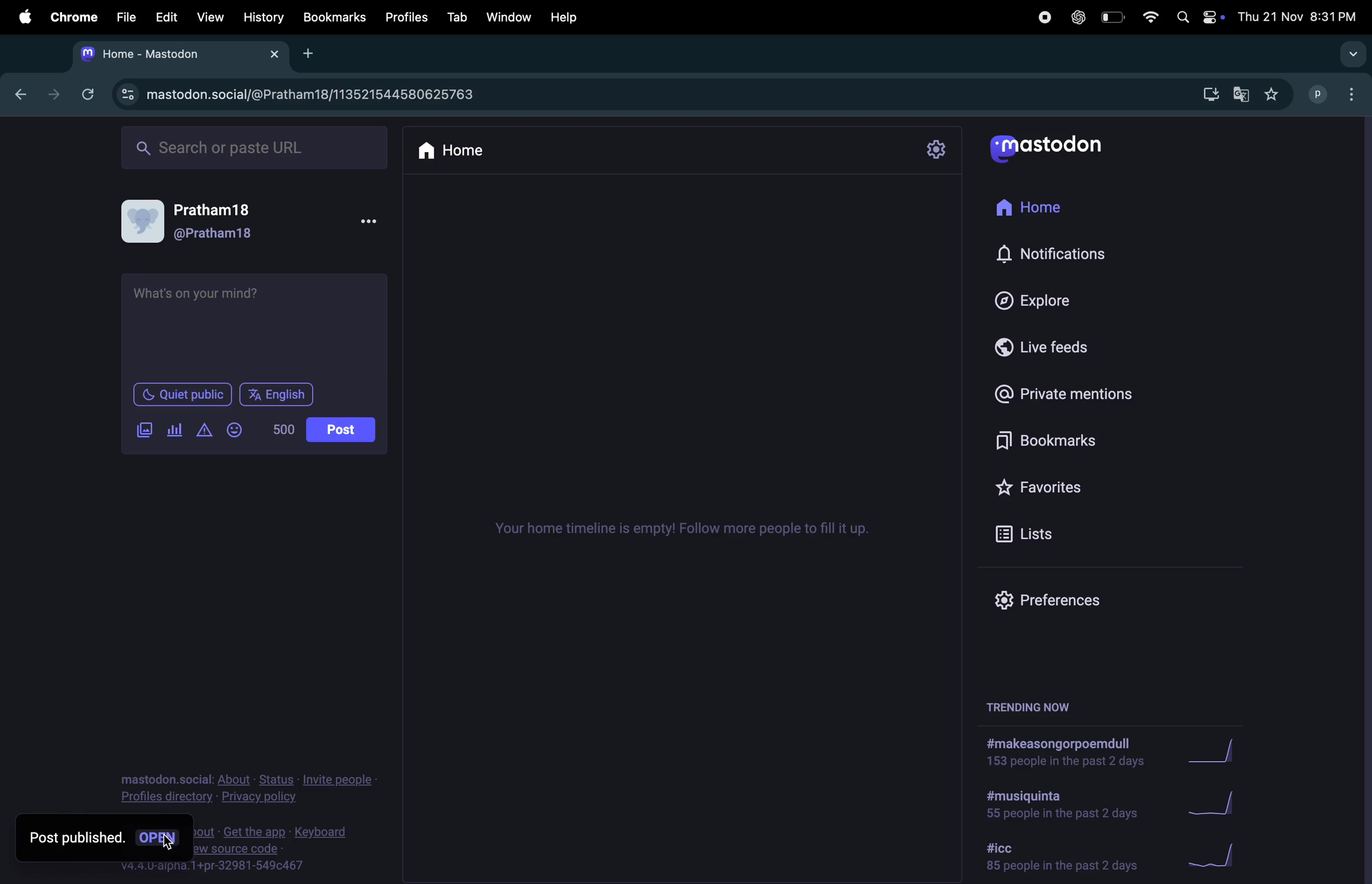 The height and width of the screenshot is (884, 1372). I want to click on profiles, so click(404, 17).